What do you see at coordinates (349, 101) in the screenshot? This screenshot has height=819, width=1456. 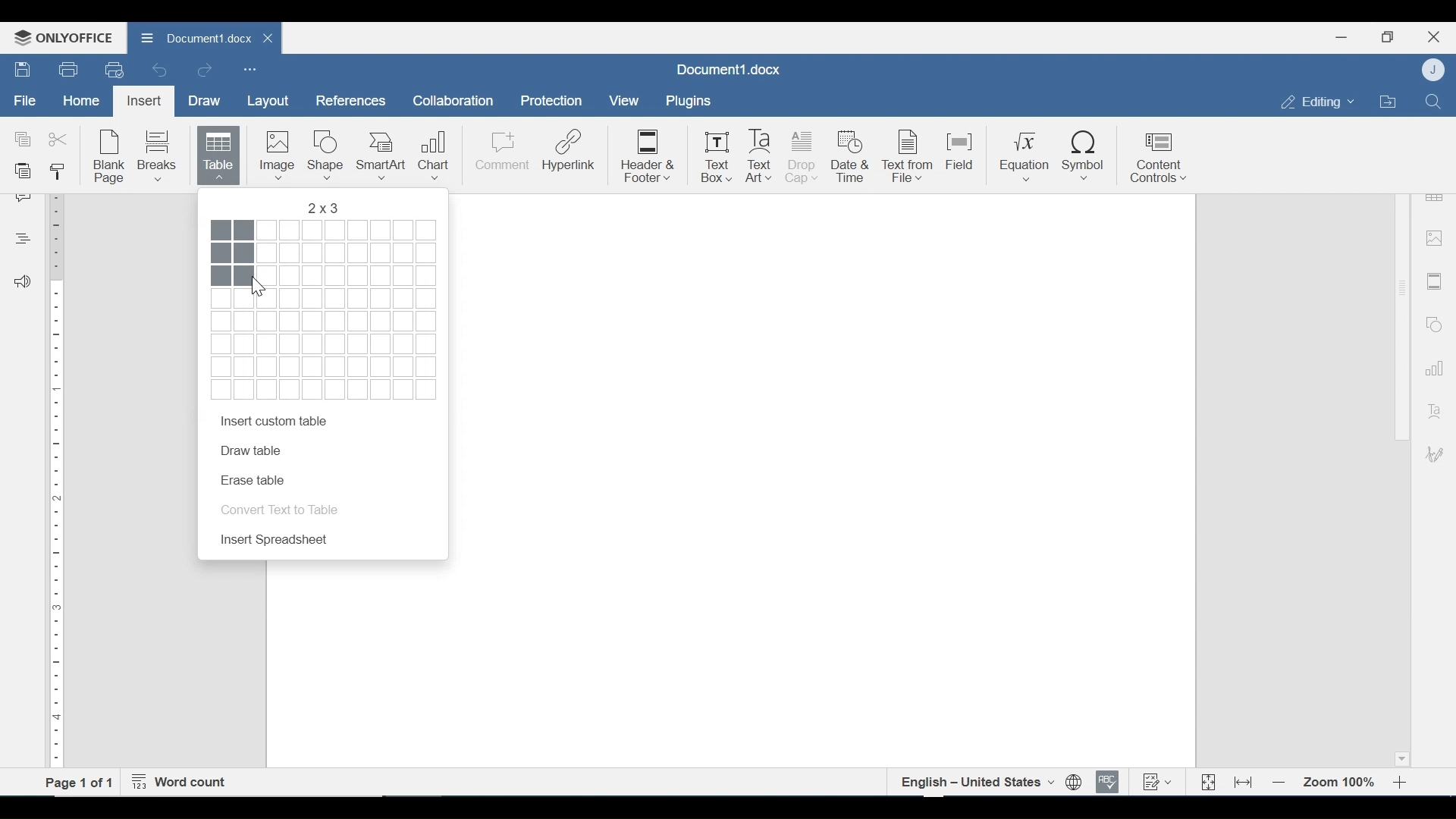 I see `References` at bounding box center [349, 101].